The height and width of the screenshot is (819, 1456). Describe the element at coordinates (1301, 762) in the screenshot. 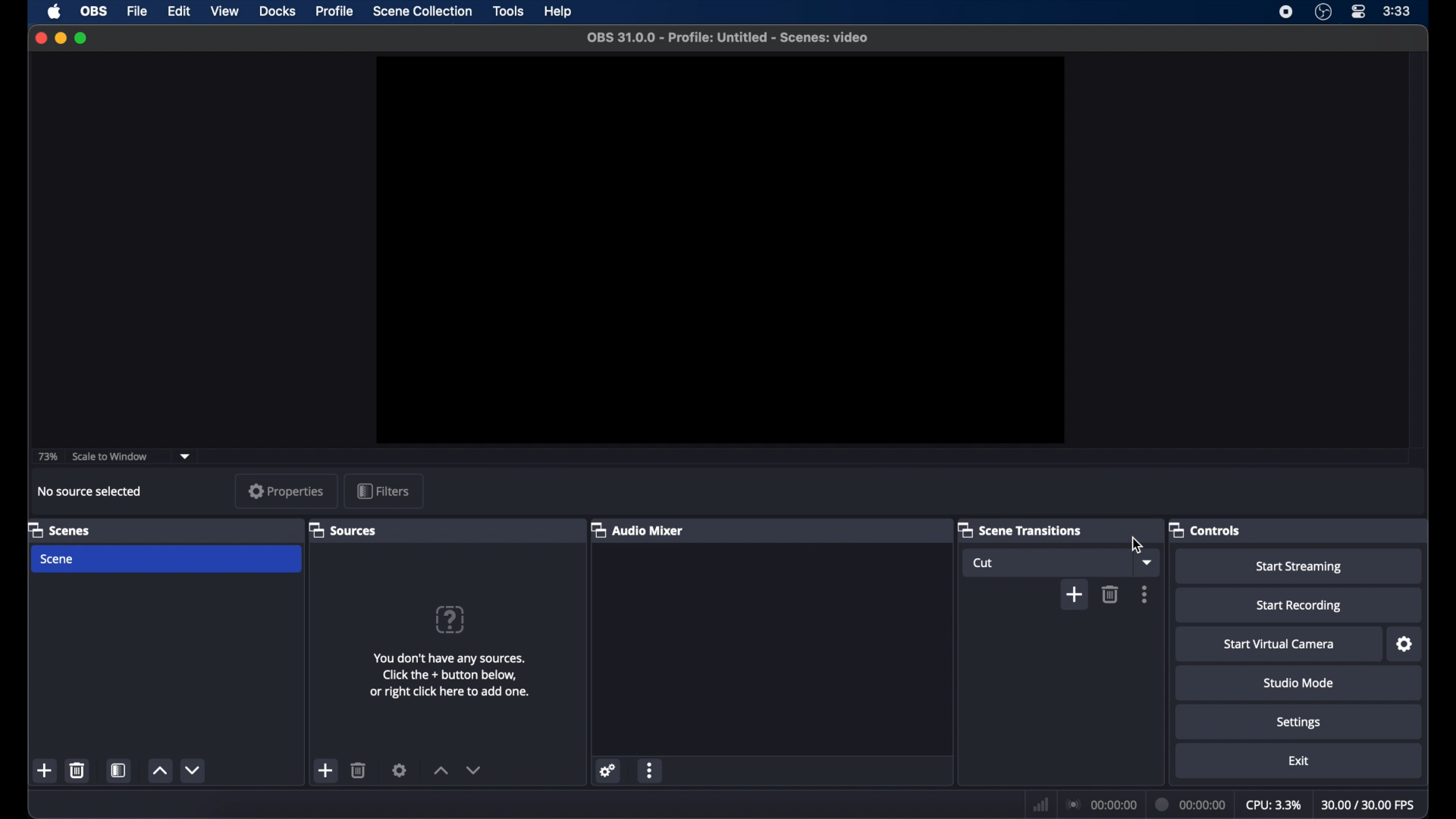

I see `exit` at that location.